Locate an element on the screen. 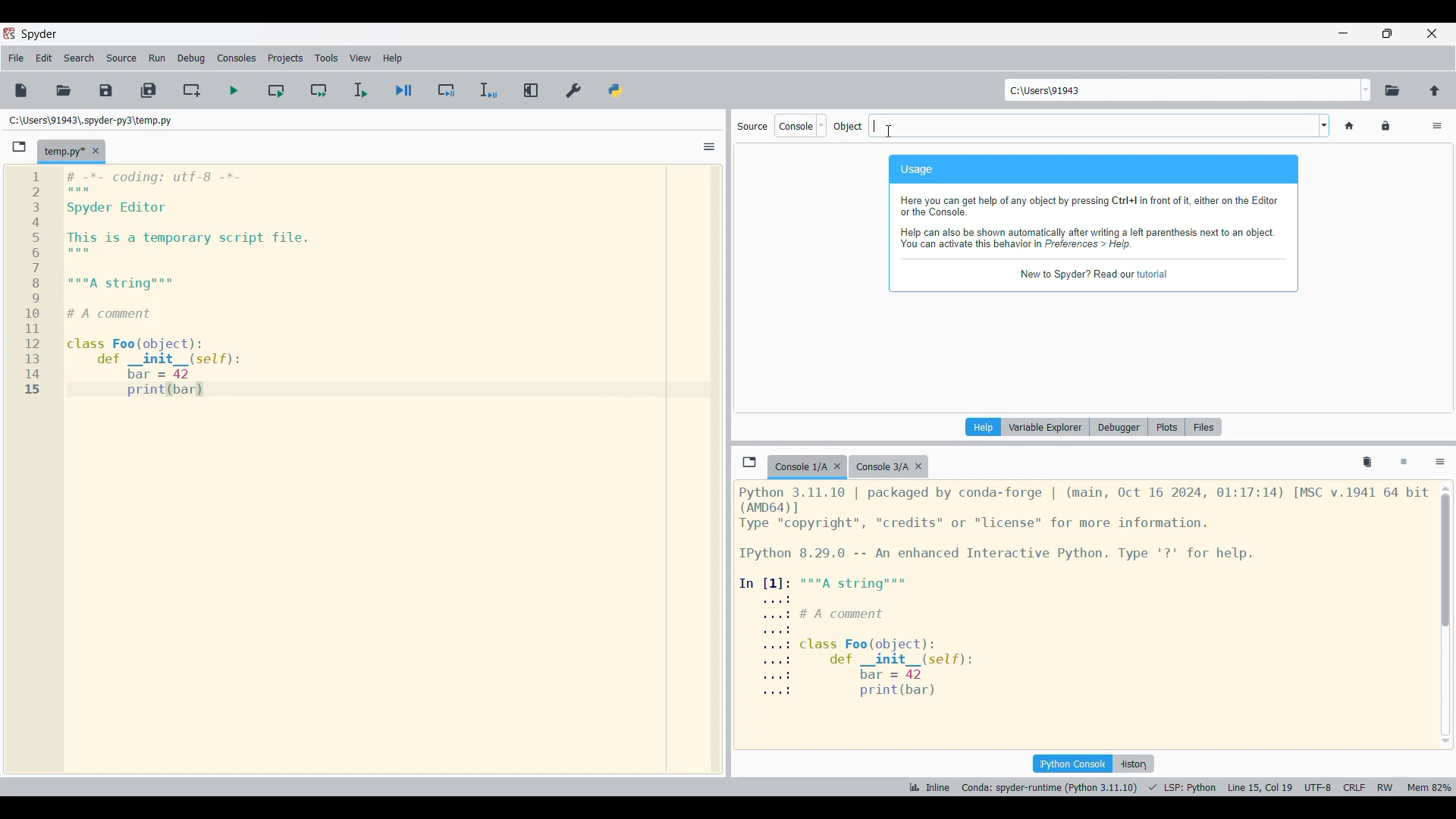  software logo is located at coordinates (10, 33).